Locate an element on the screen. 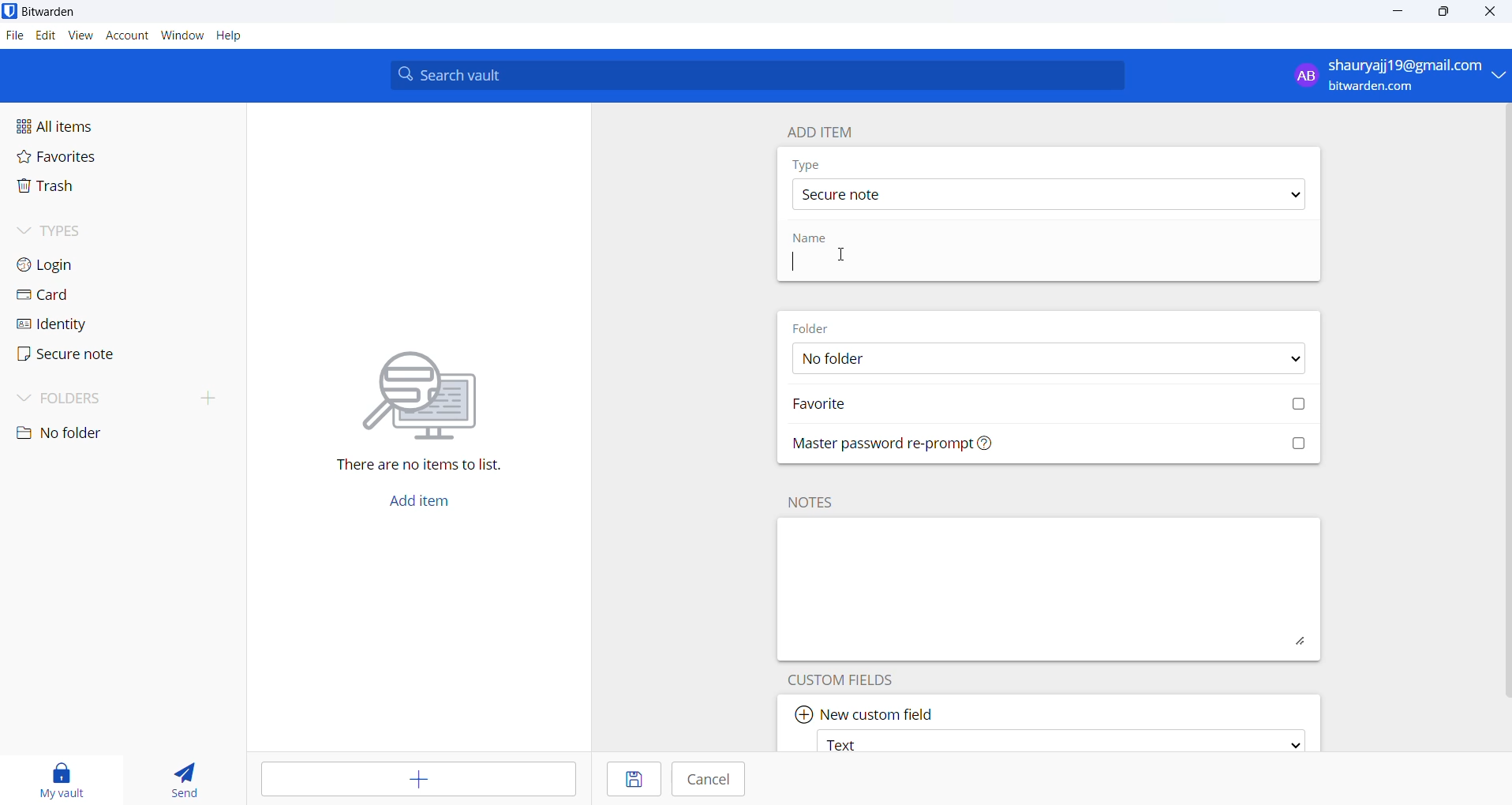 The height and width of the screenshot is (805, 1512). name is located at coordinates (814, 239).